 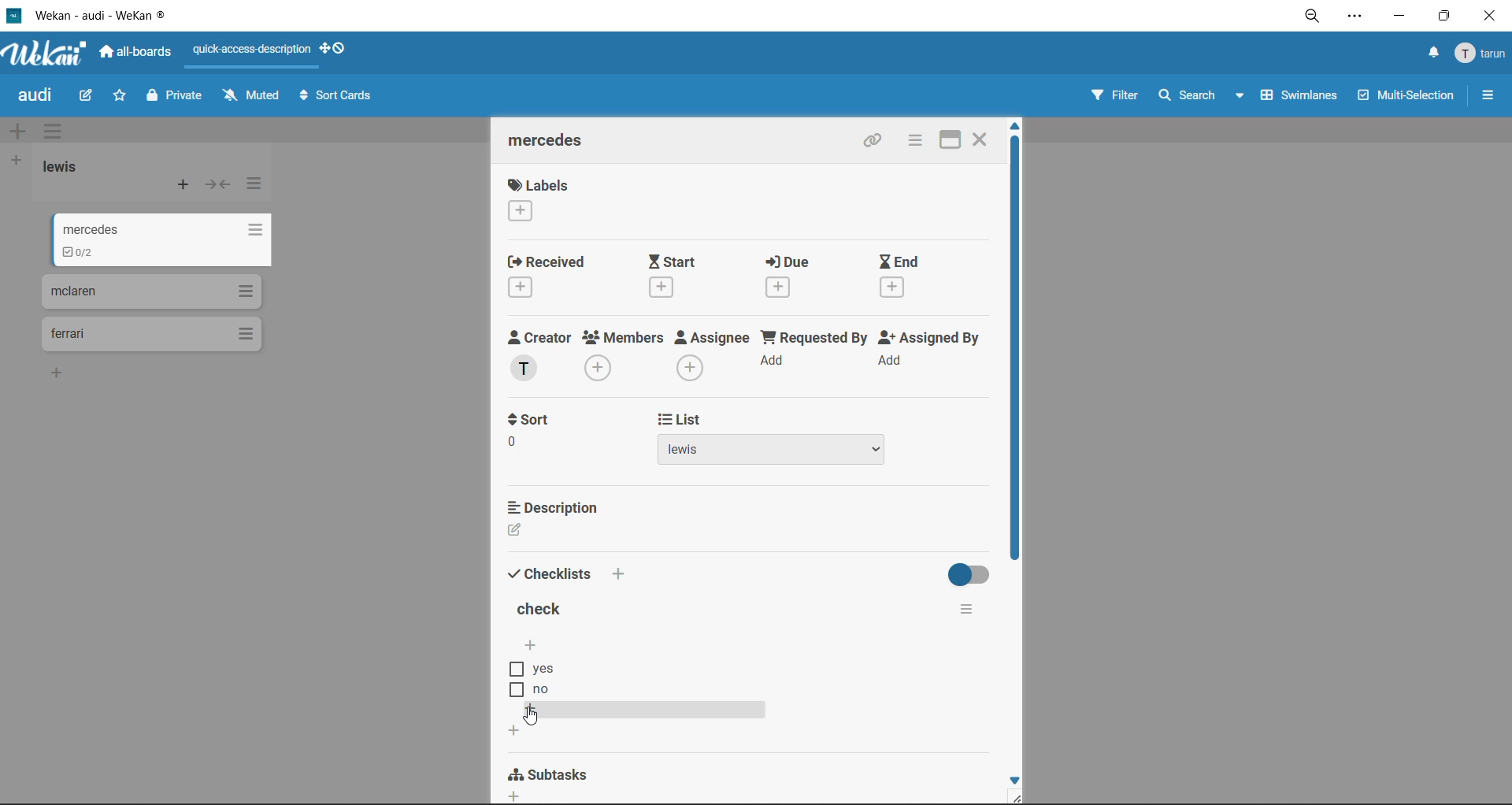 I want to click on all boards, so click(x=136, y=53).